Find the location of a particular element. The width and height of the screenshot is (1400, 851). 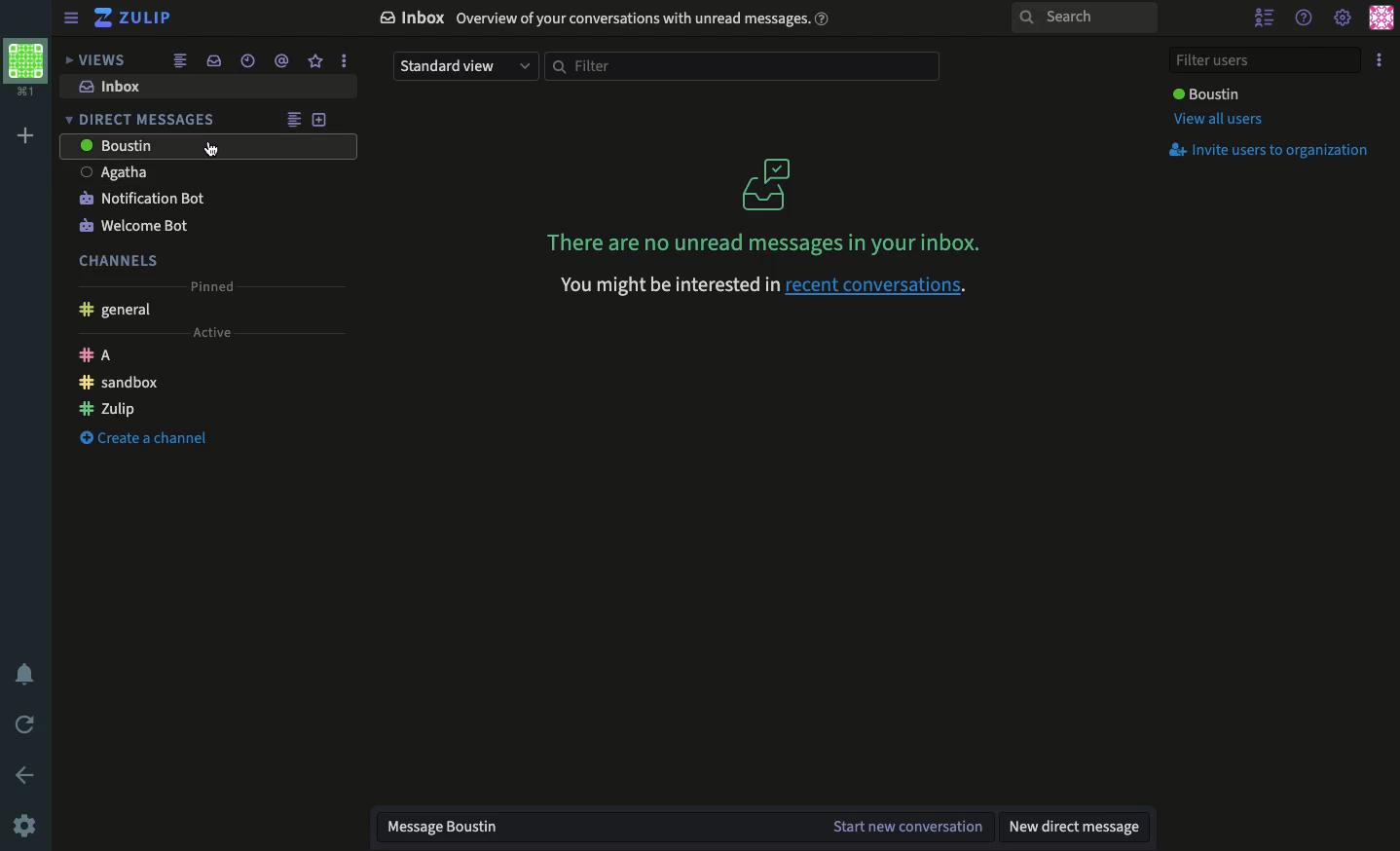

Back is located at coordinates (26, 773).